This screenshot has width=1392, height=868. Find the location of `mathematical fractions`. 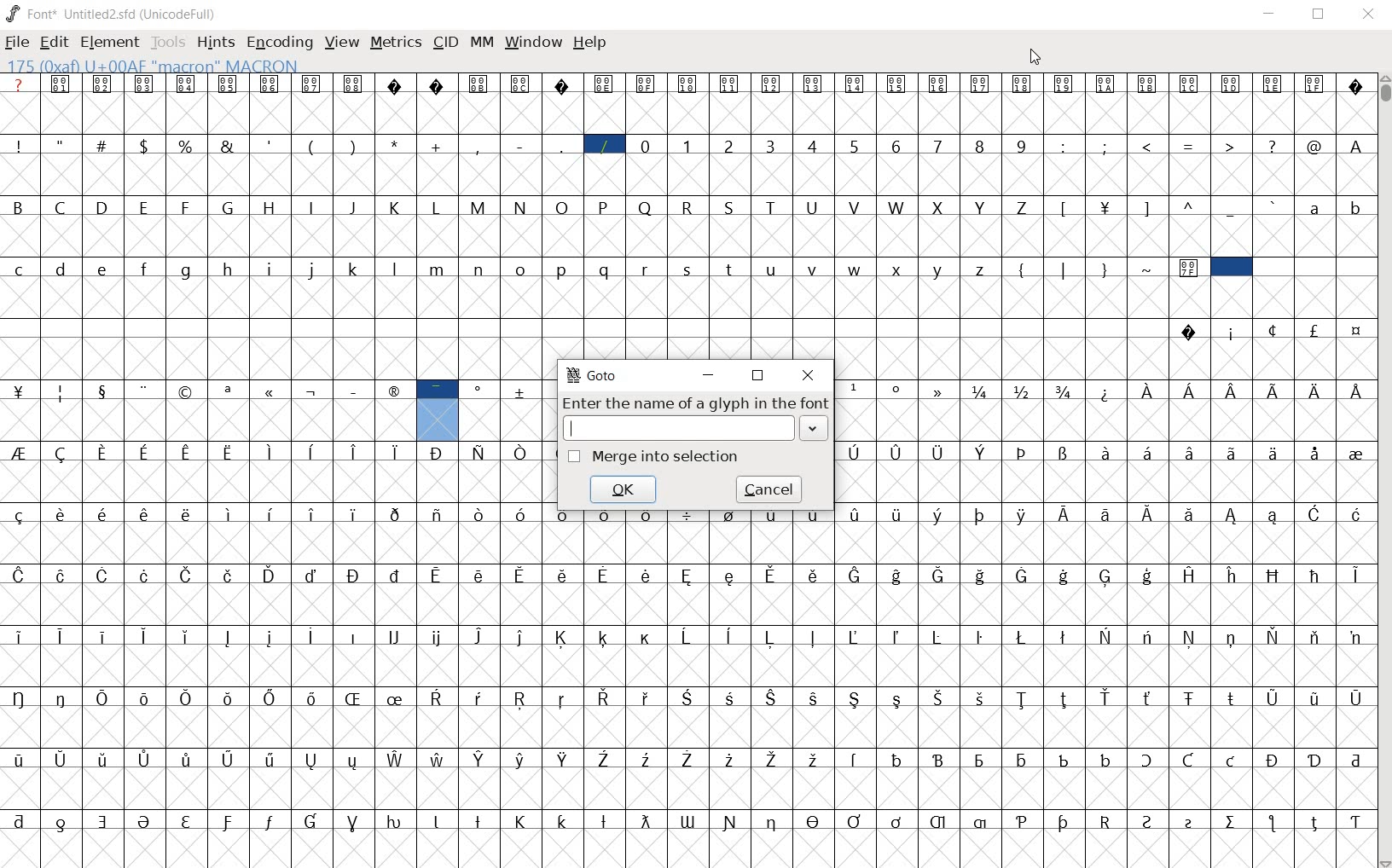

mathematical fractions is located at coordinates (1024, 410).